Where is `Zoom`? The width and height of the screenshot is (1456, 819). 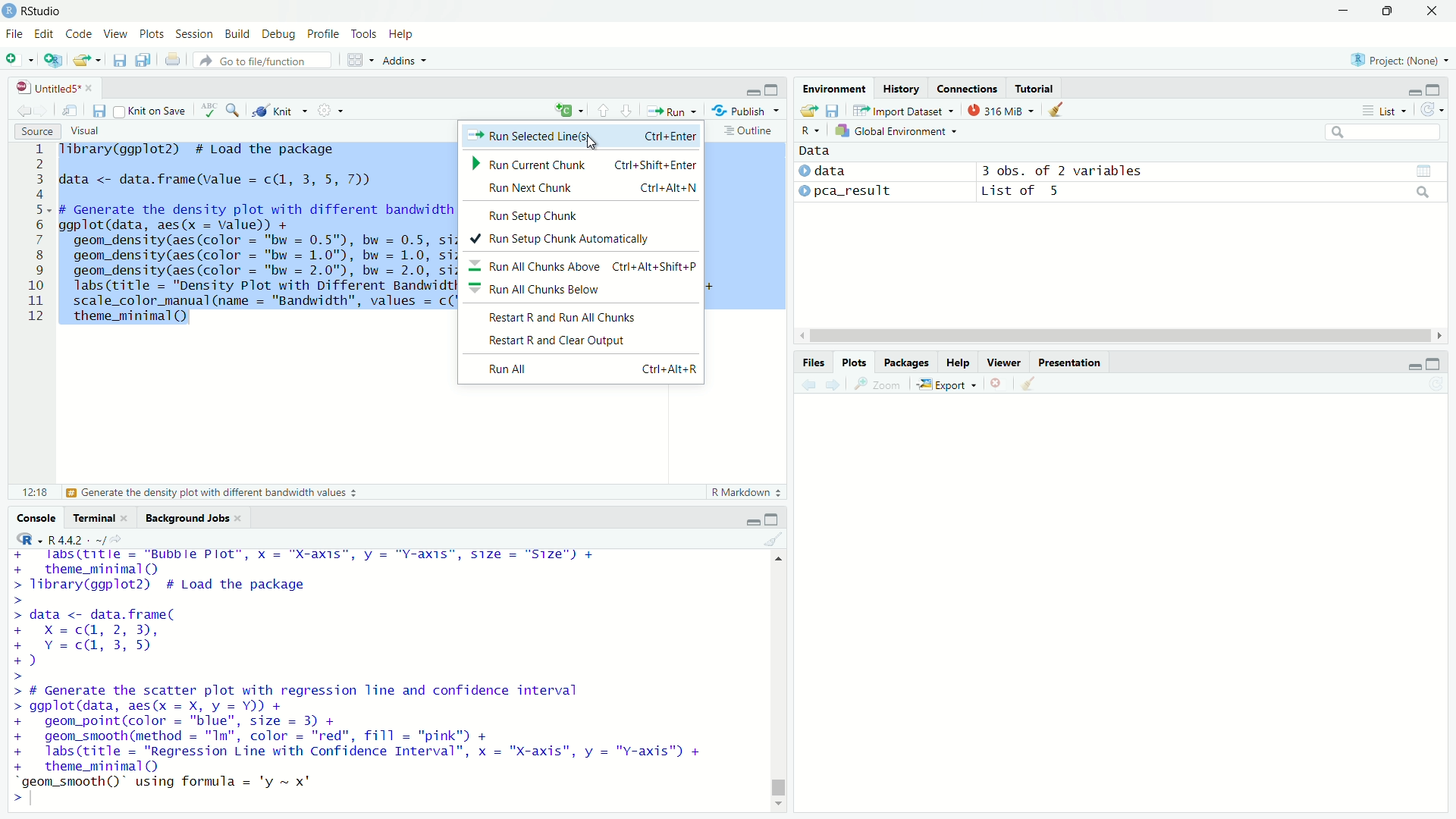
Zoom is located at coordinates (878, 384).